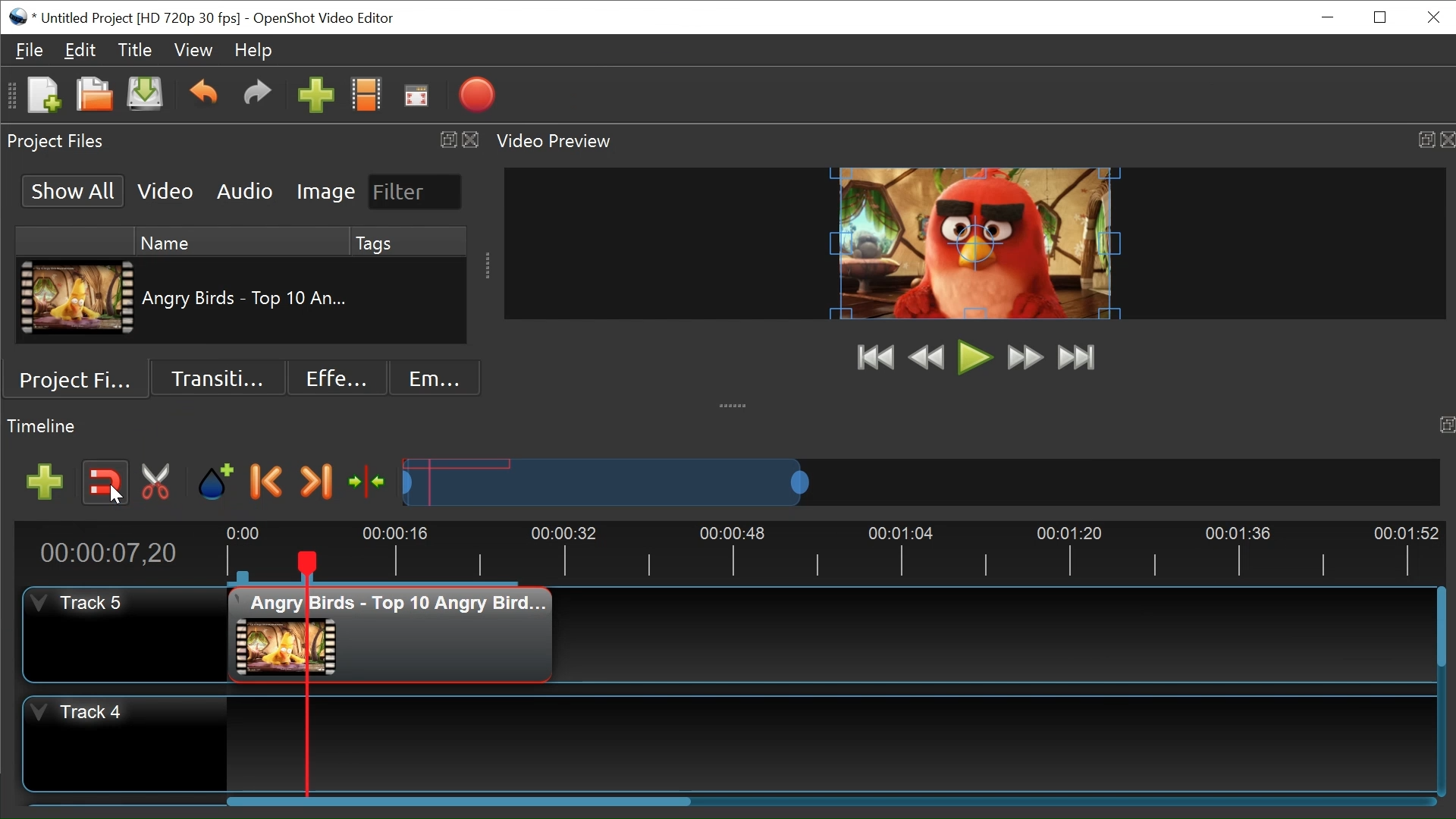  Describe the element at coordinates (44, 96) in the screenshot. I see `New File` at that location.